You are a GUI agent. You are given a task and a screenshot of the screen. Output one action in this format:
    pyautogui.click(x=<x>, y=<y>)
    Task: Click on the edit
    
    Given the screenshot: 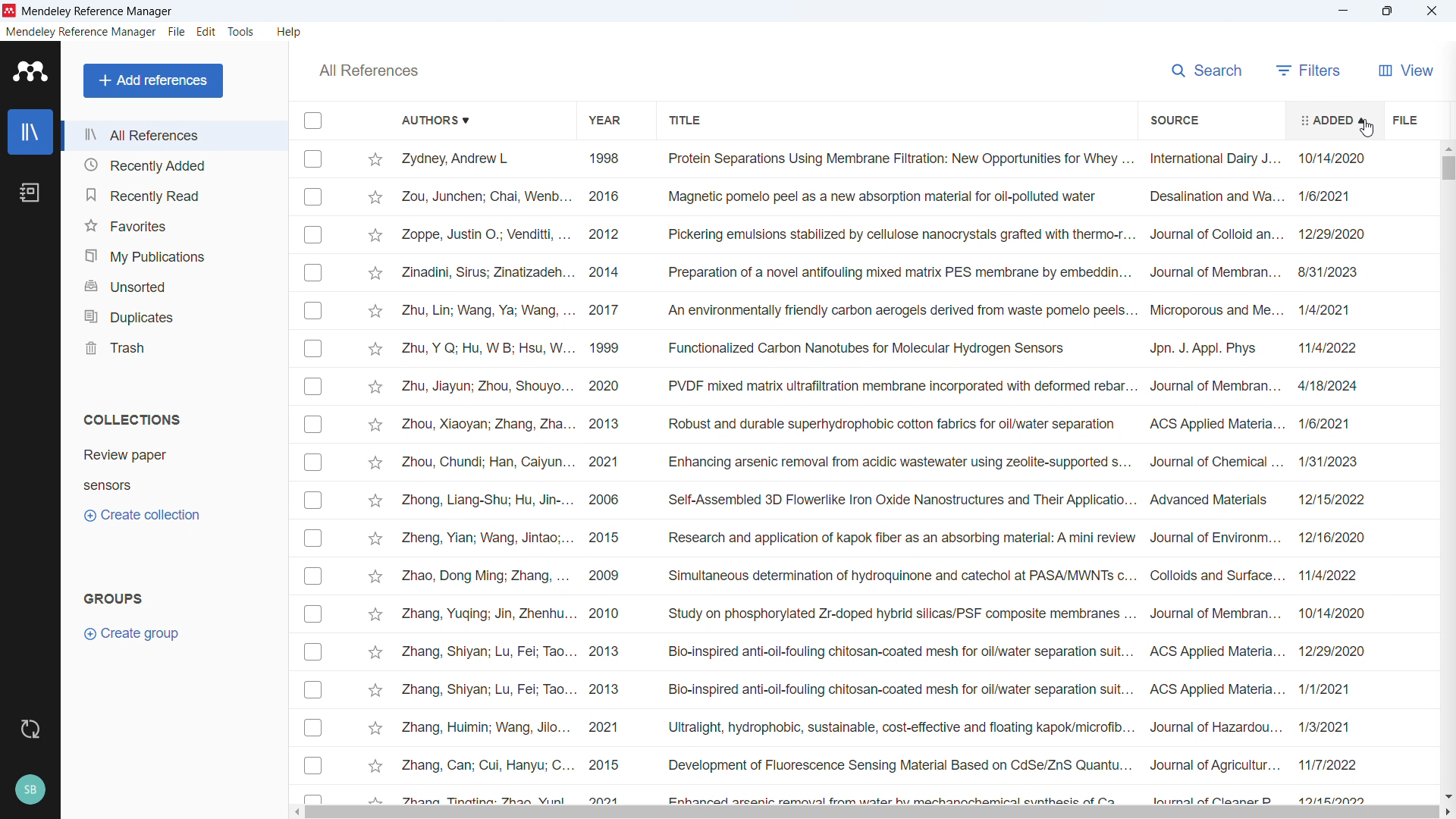 What is the action you would take?
    pyautogui.click(x=206, y=32)
    